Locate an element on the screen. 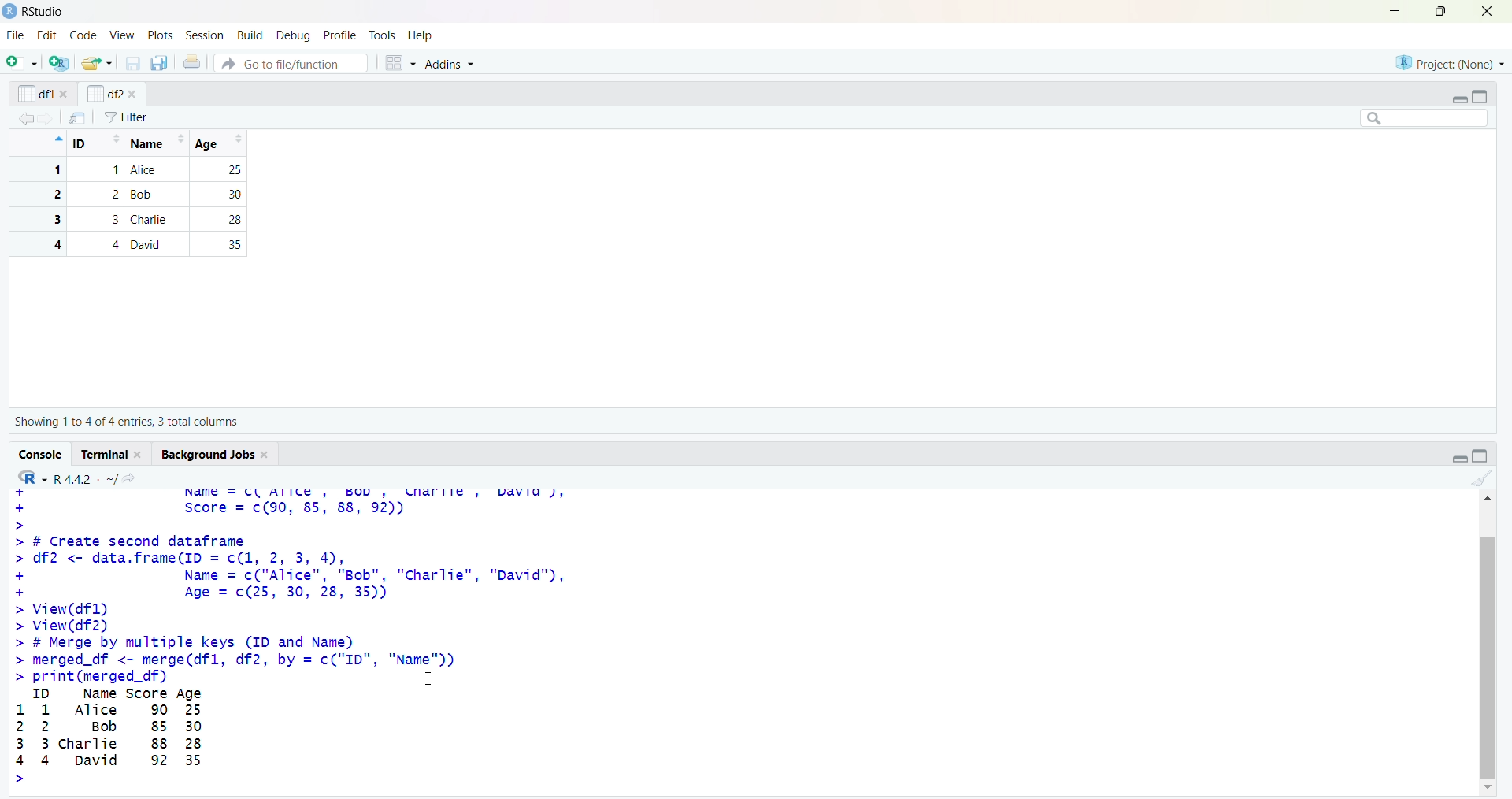  tools is located at coordinates (383, 35).